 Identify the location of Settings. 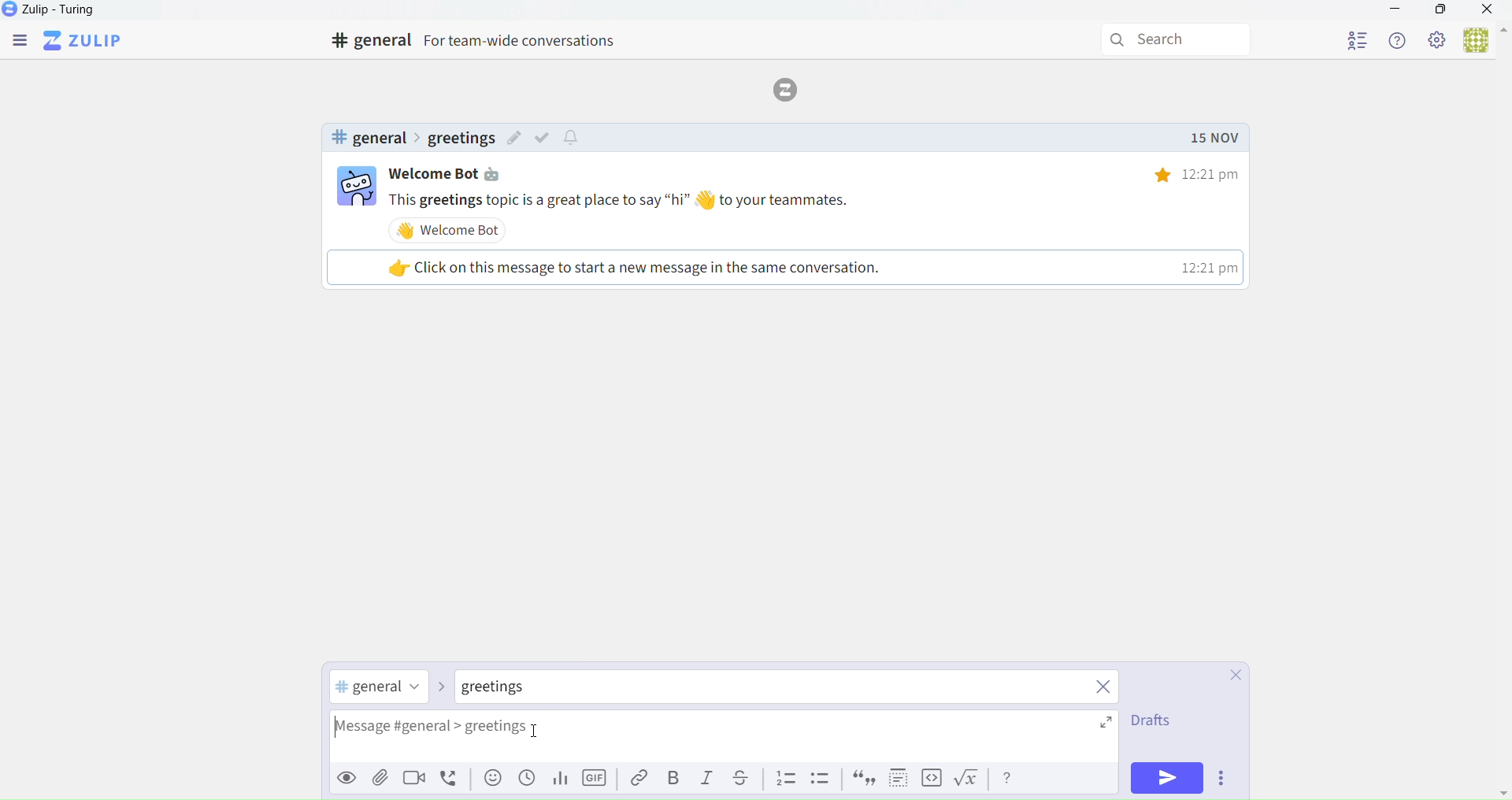
(1438, 41).